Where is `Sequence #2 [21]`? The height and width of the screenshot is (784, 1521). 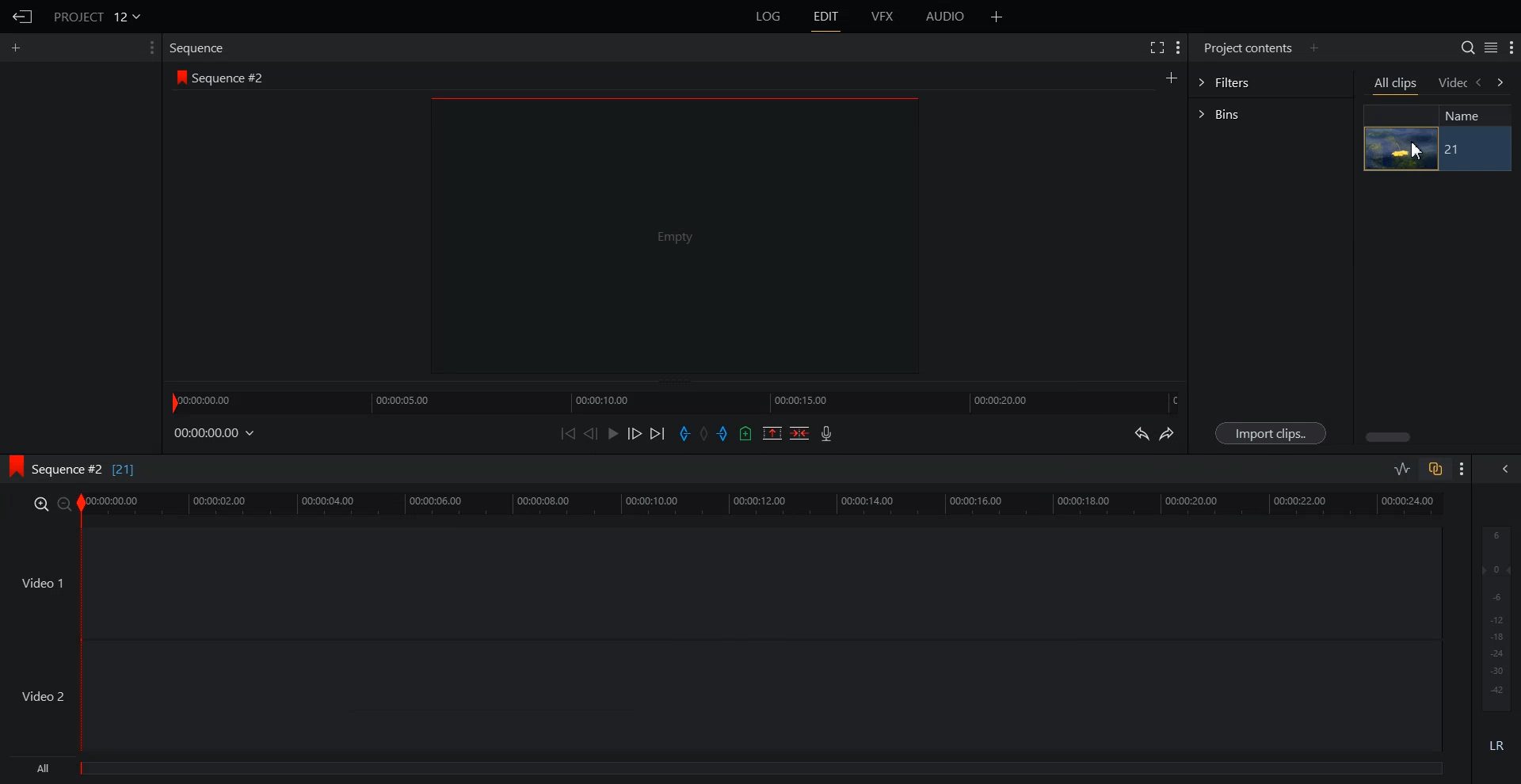 Sequence #2 [21] is located at coordinates (87, 467).